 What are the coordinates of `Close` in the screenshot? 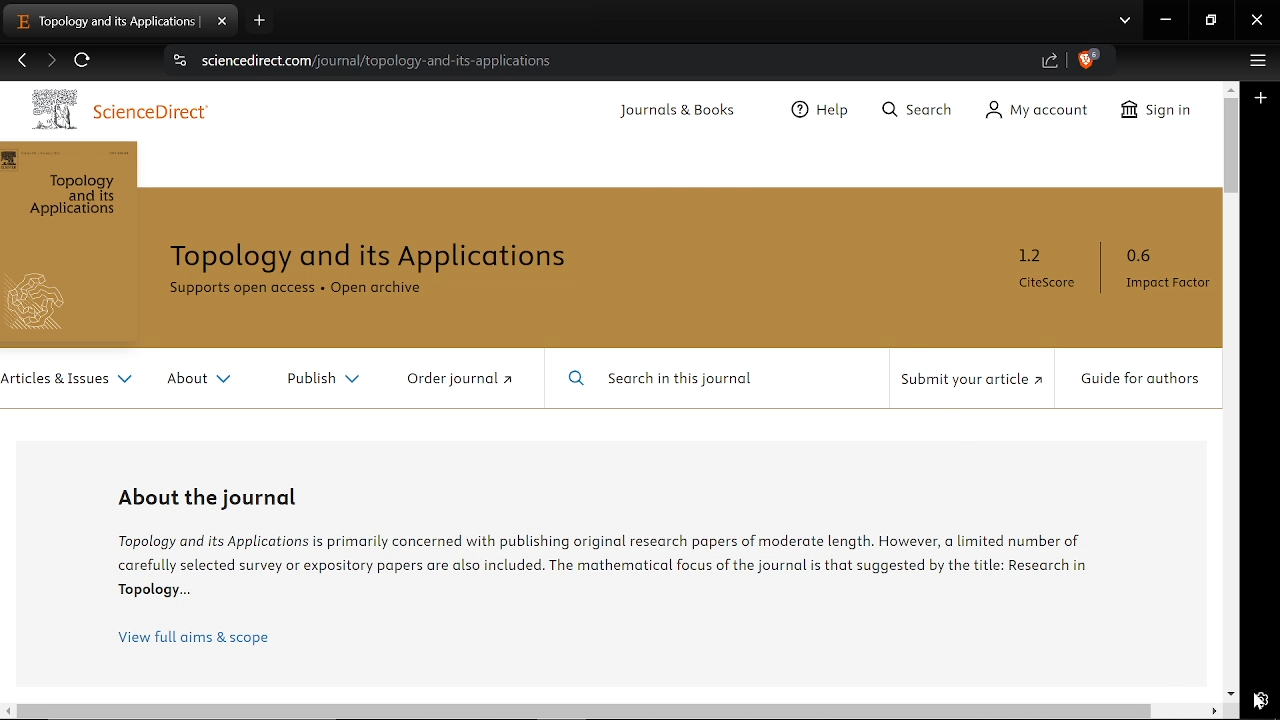 It's located at (1257, 22).